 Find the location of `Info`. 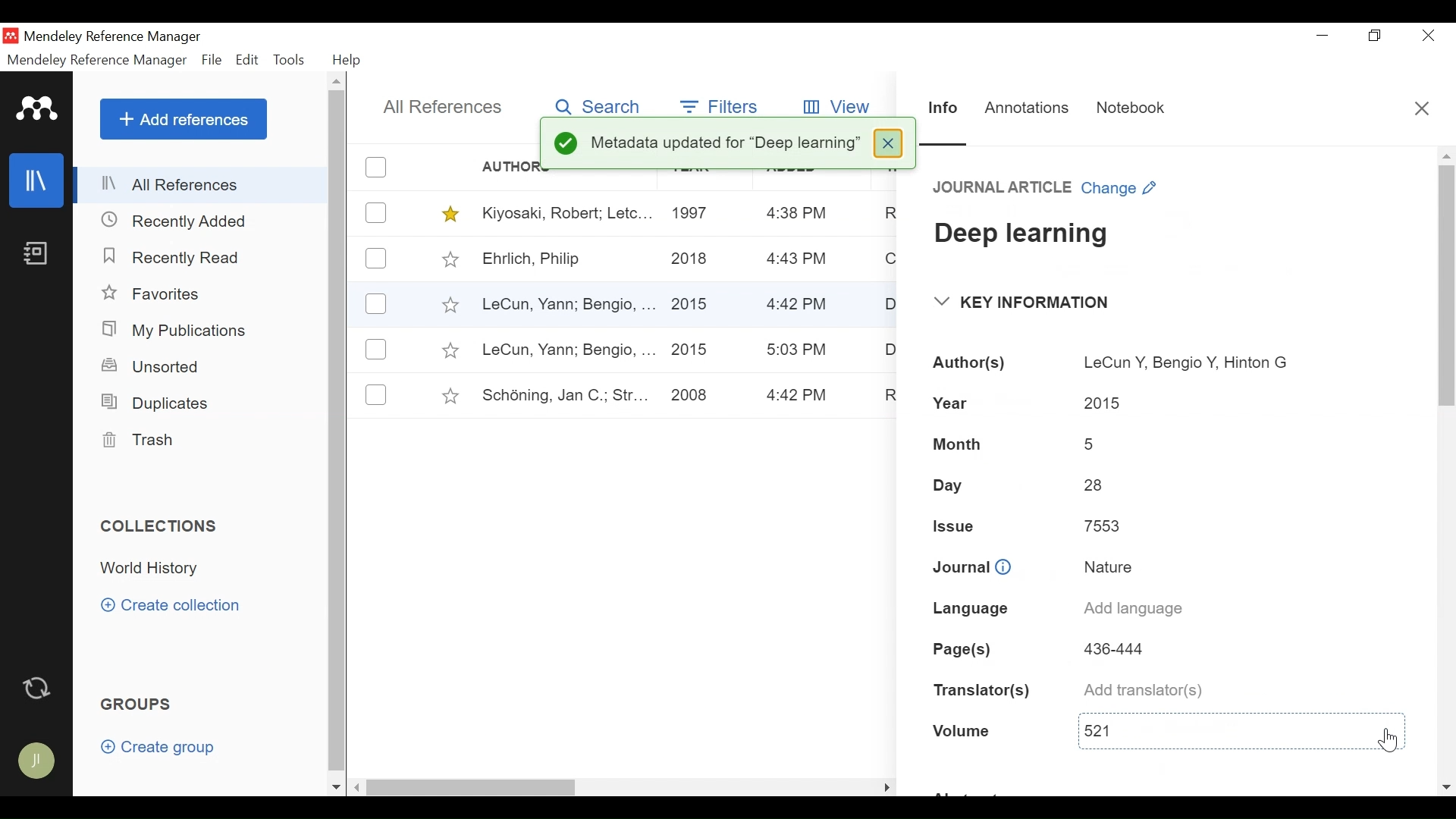

Info is located at coordinates (943, 110).